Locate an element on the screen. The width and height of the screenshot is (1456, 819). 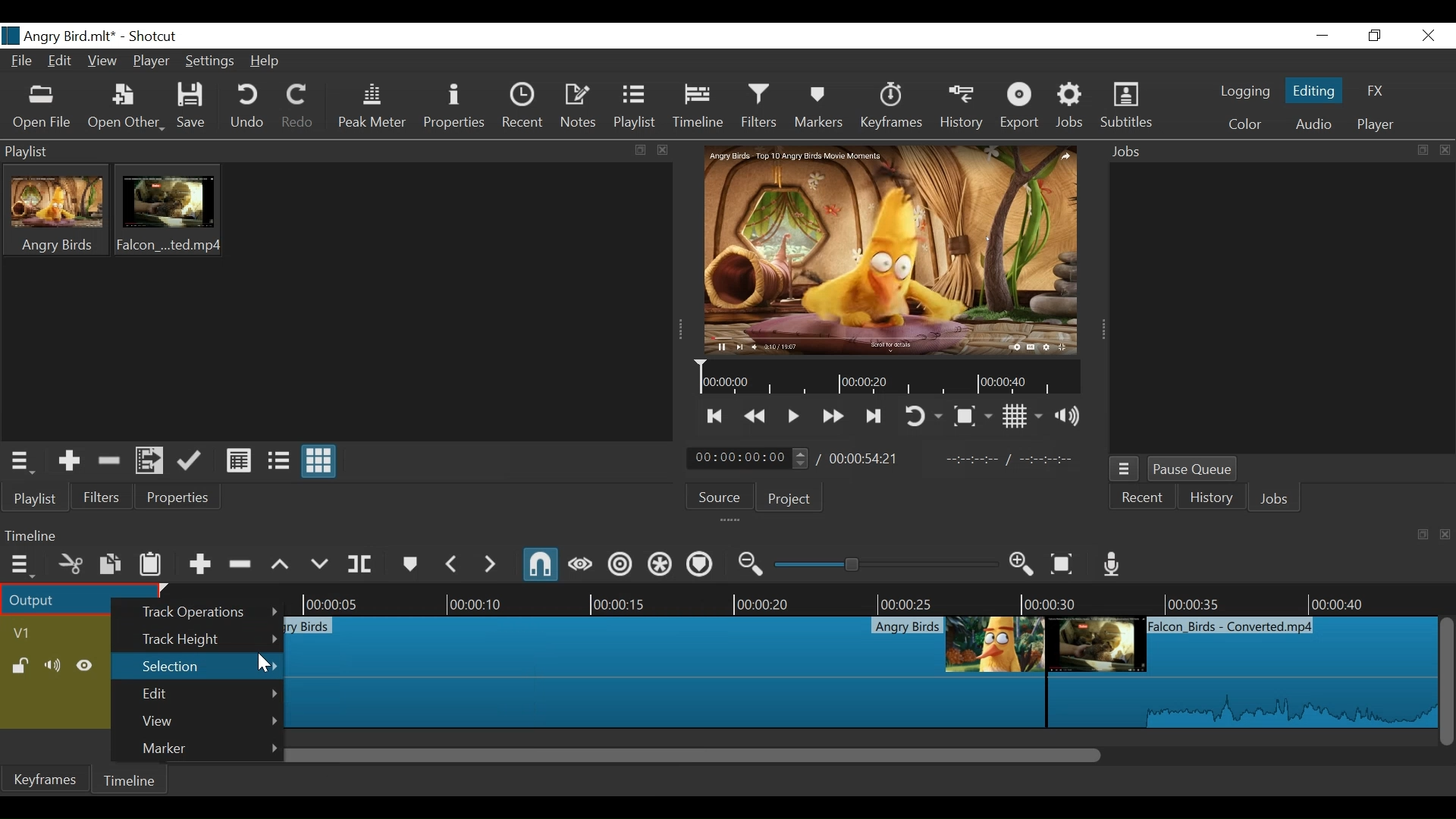
Toggle player looping is located at coordinates (924, 417).